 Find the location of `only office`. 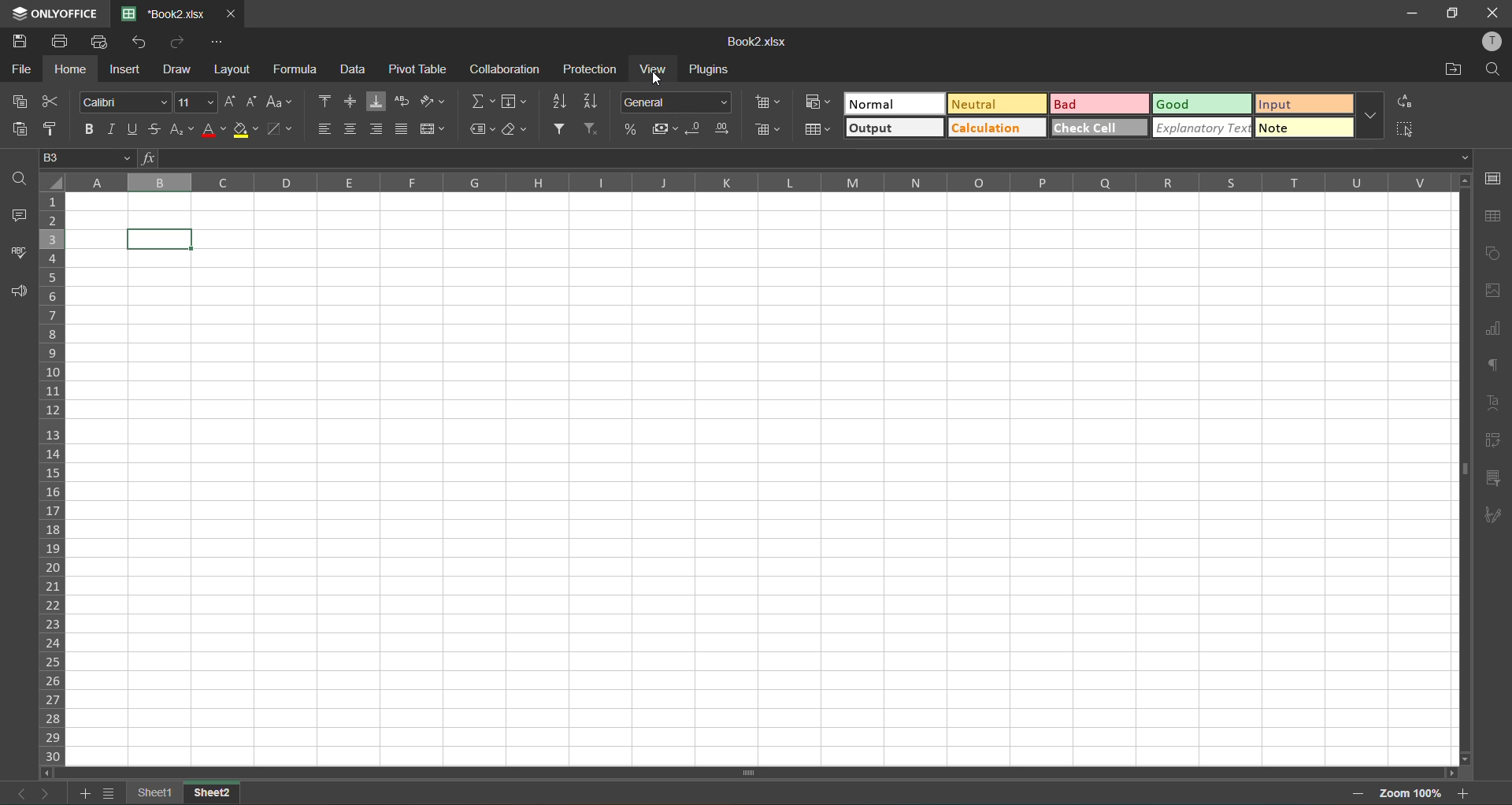

only office is located at coordinates (54, 12).